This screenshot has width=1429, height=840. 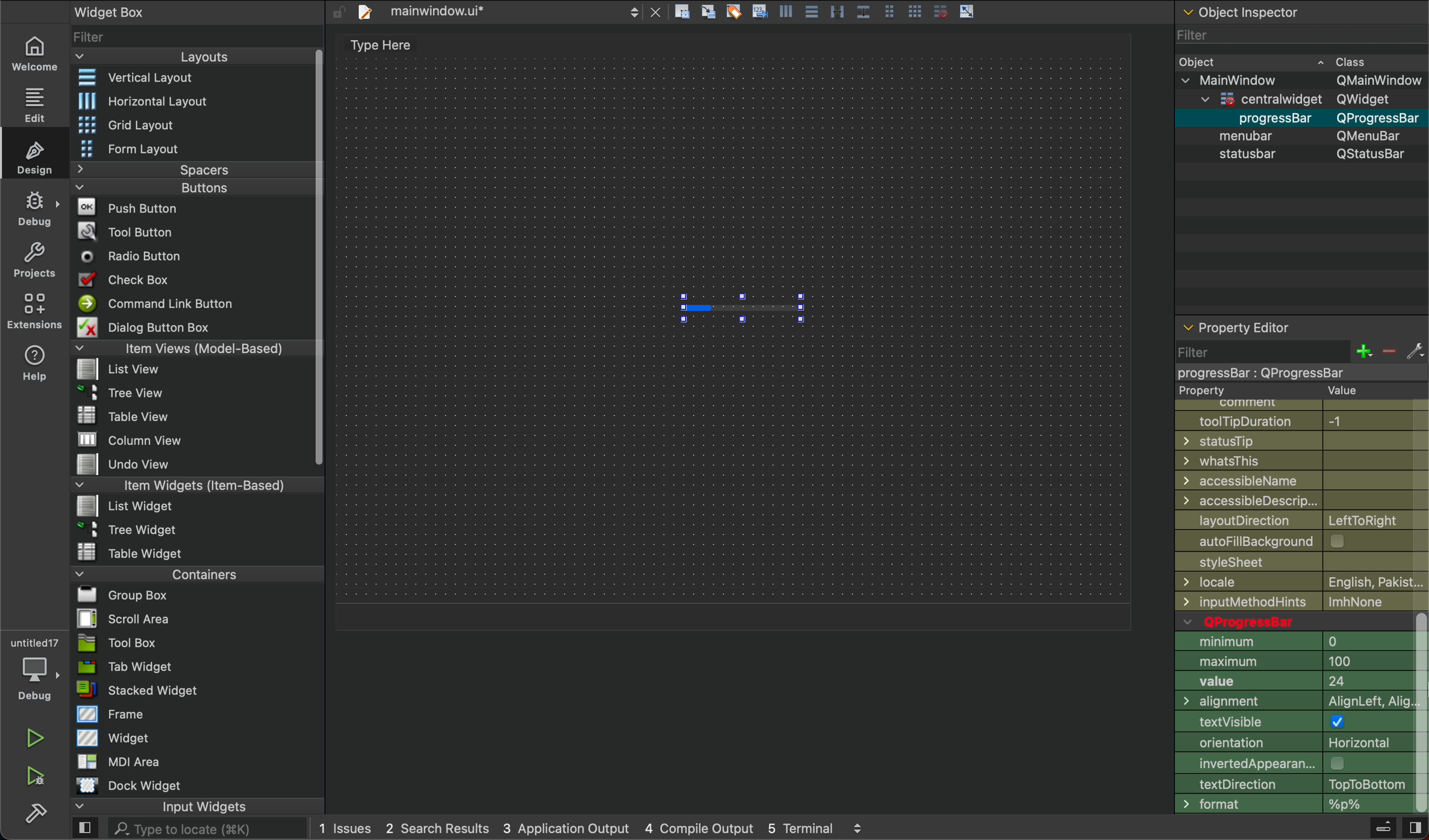 I want to click on layoutDirection, so click(x=1302, y=519).